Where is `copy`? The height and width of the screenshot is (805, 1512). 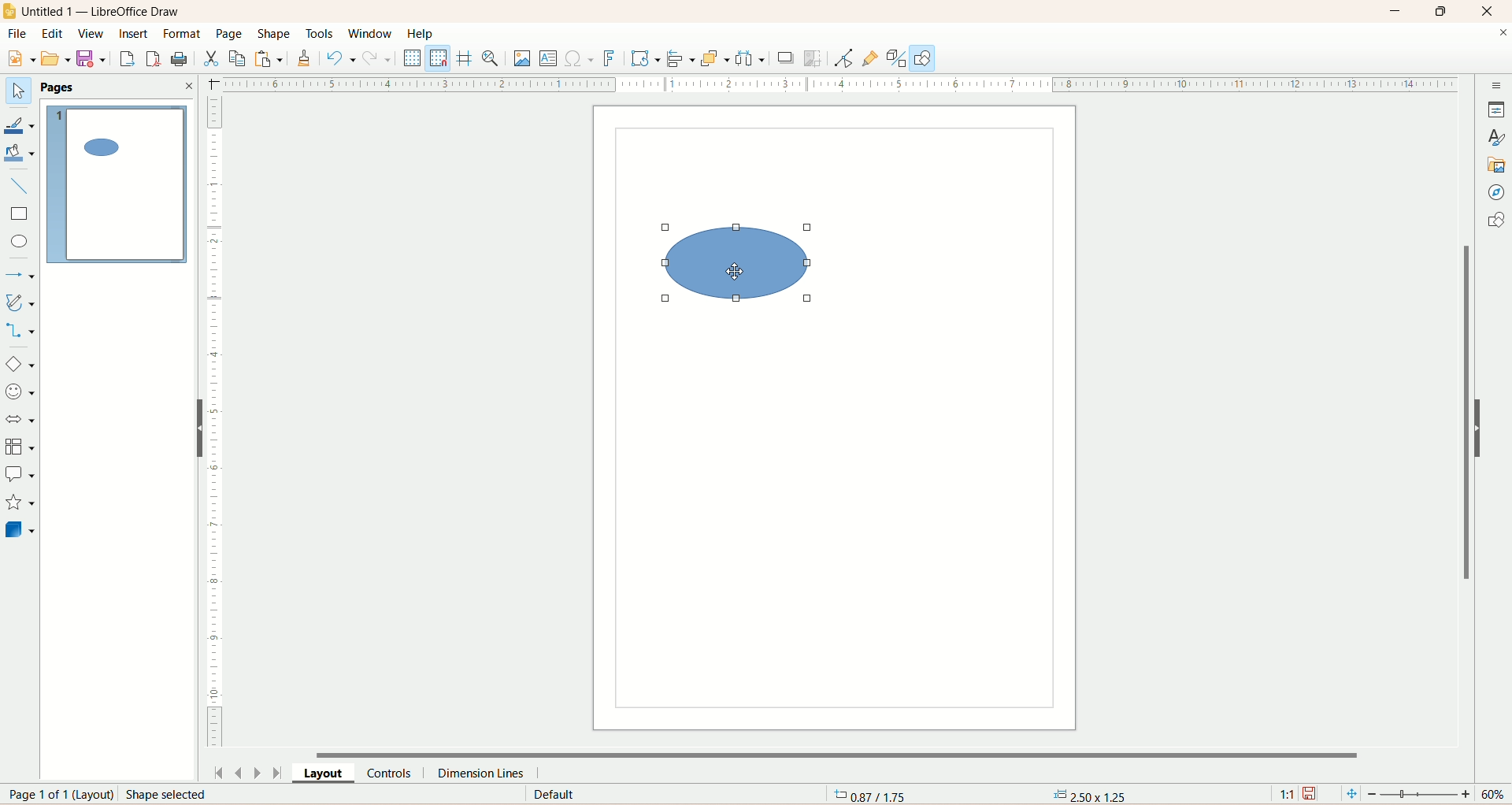 copy is located at coordinates (239, 58).